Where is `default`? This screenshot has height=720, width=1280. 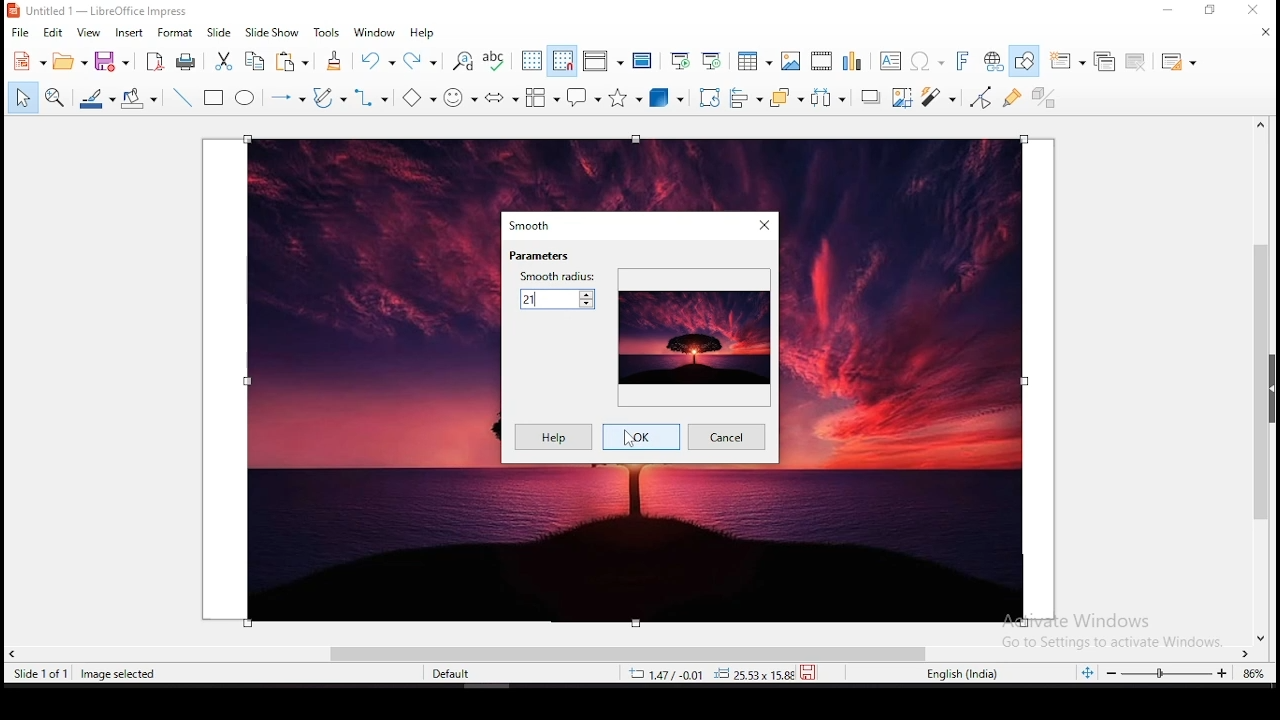 default is located at coordinates (457, 677).